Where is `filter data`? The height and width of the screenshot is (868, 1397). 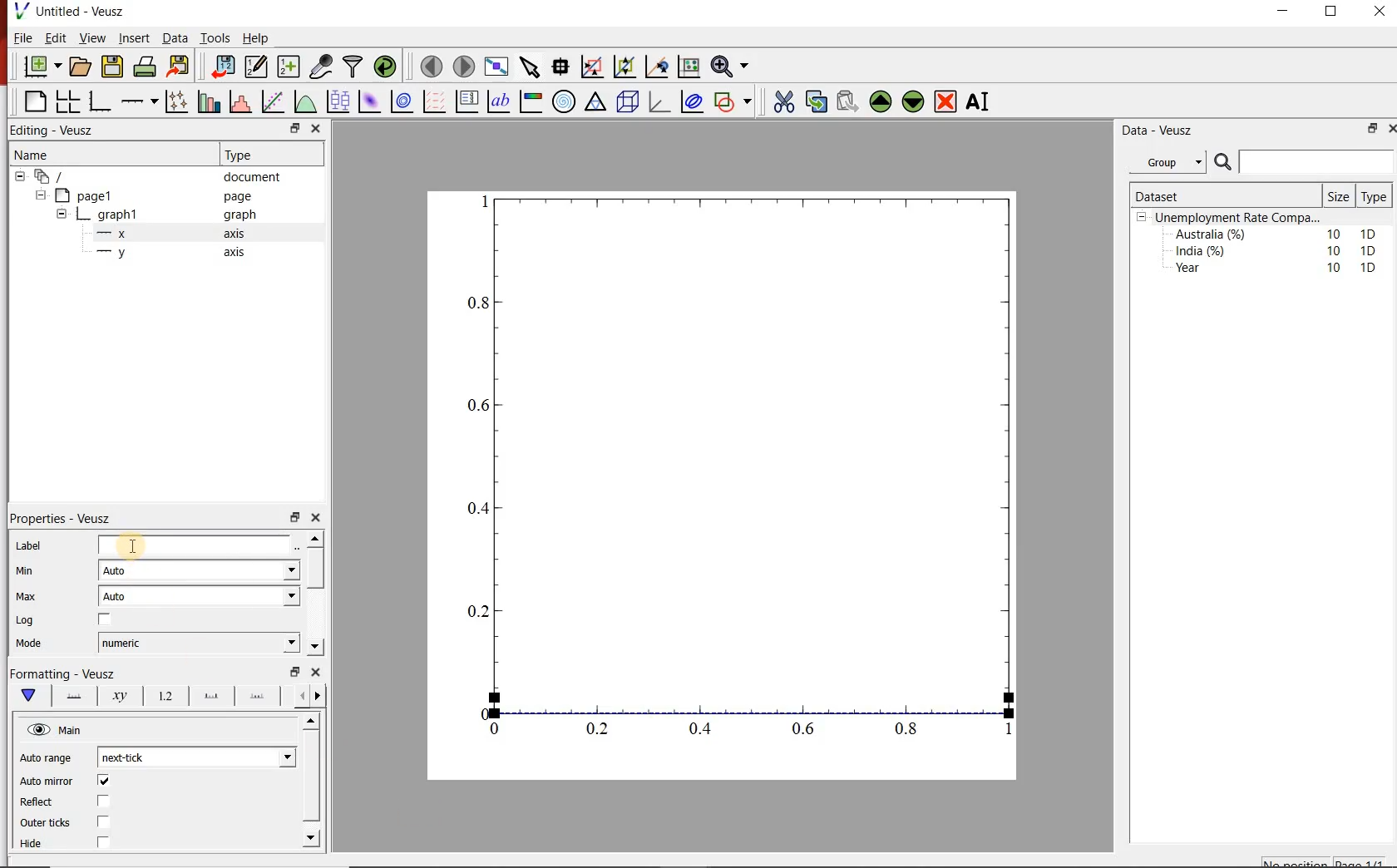 filter data is located at coordinates (352, 67).